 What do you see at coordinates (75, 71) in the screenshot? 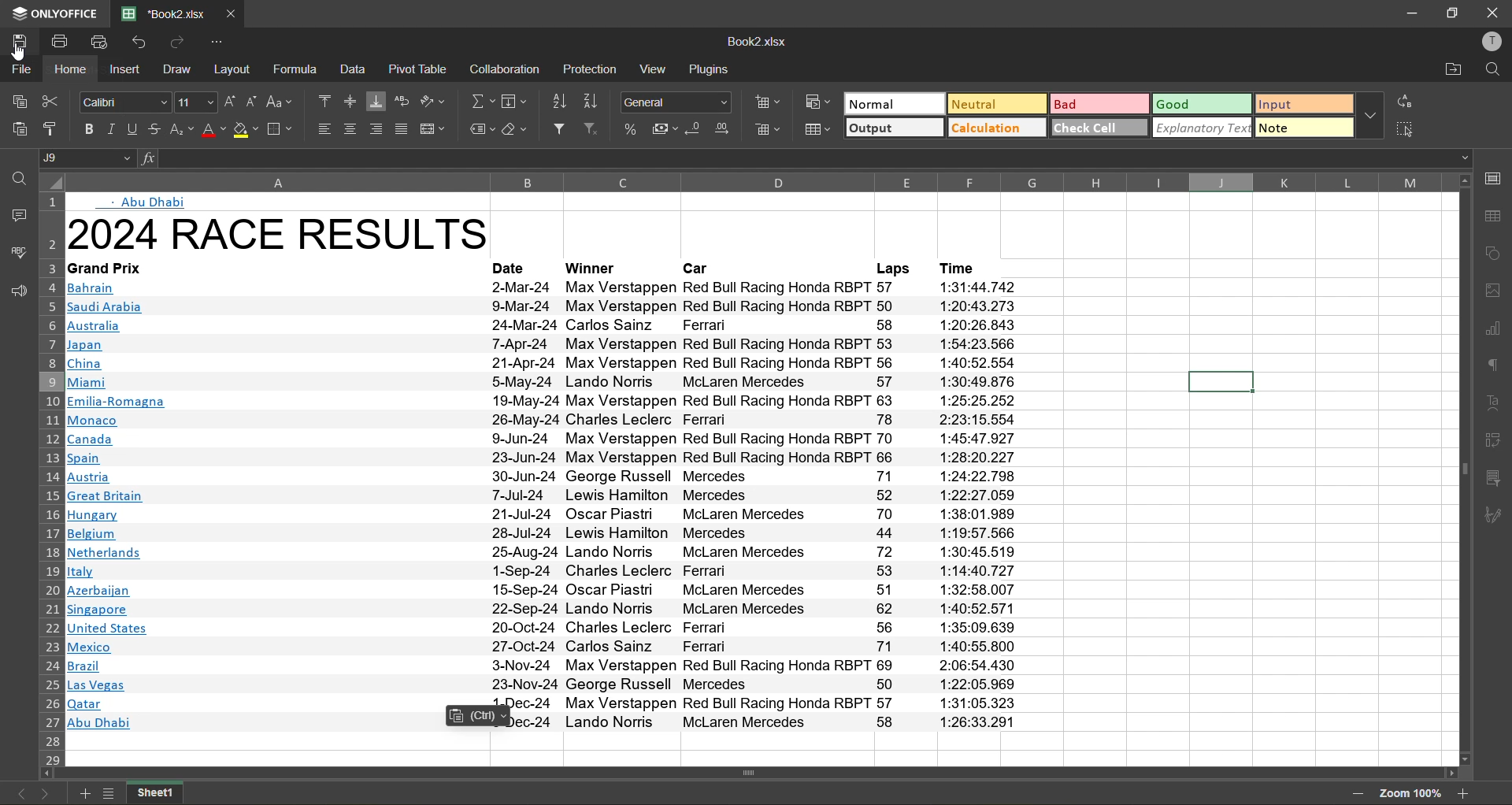
I see `home` at bounding box center [75, 71].